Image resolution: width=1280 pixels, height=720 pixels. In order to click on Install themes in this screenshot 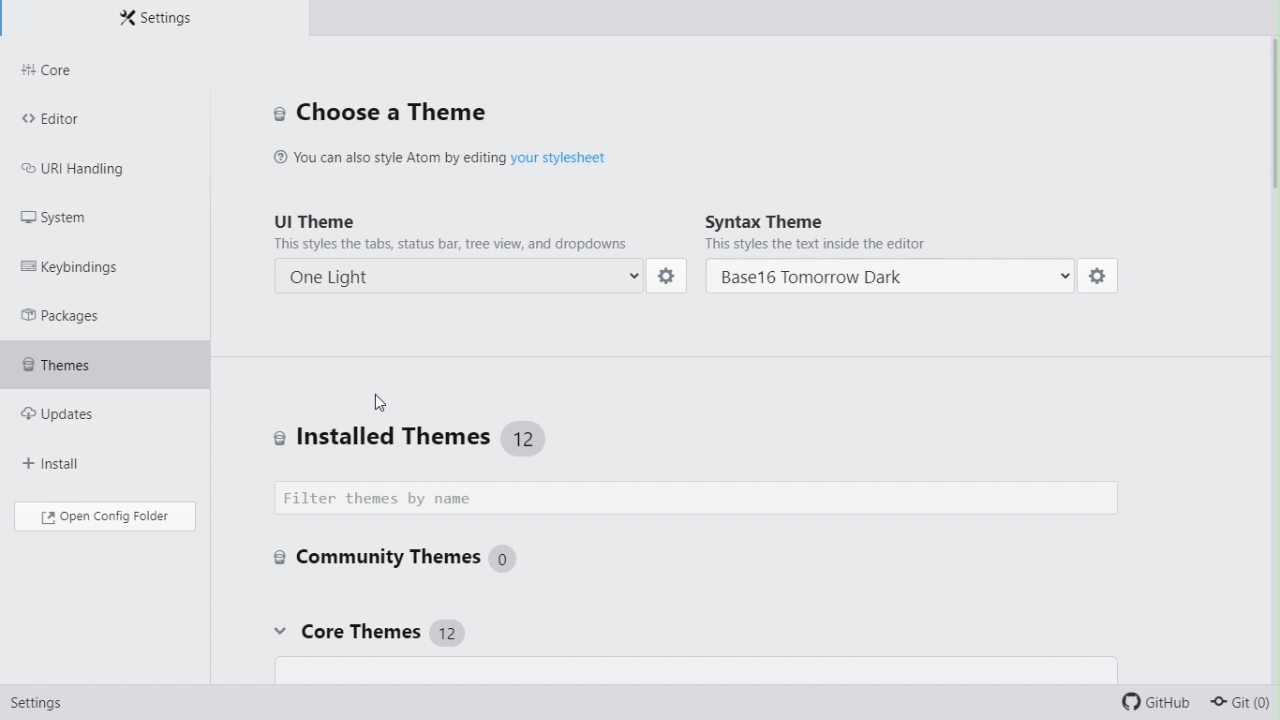, I will do `click(380, 438)`.